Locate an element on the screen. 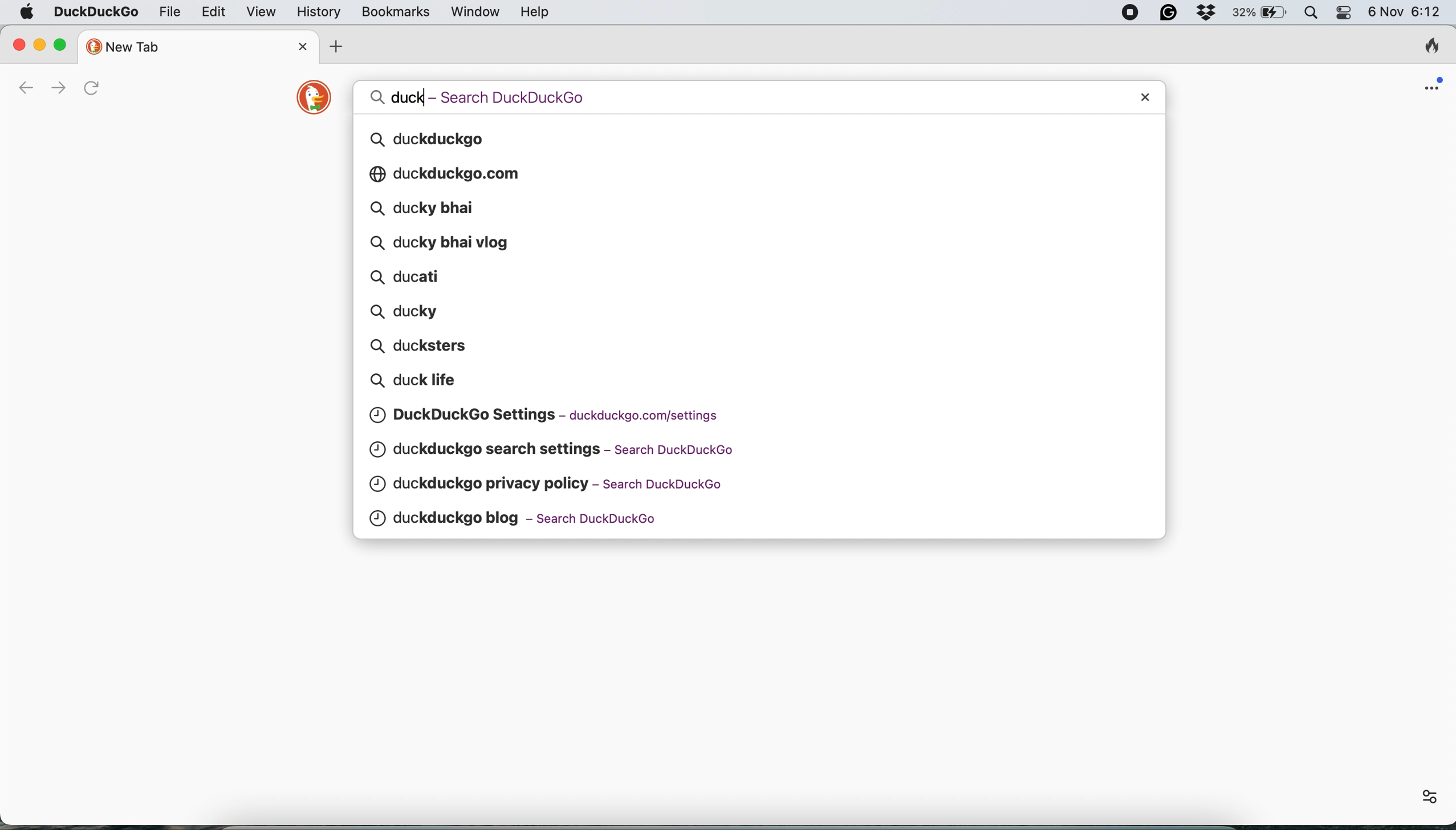 This screenshot has width=1456, height=830. duck life is located at coordinates (436, 382).